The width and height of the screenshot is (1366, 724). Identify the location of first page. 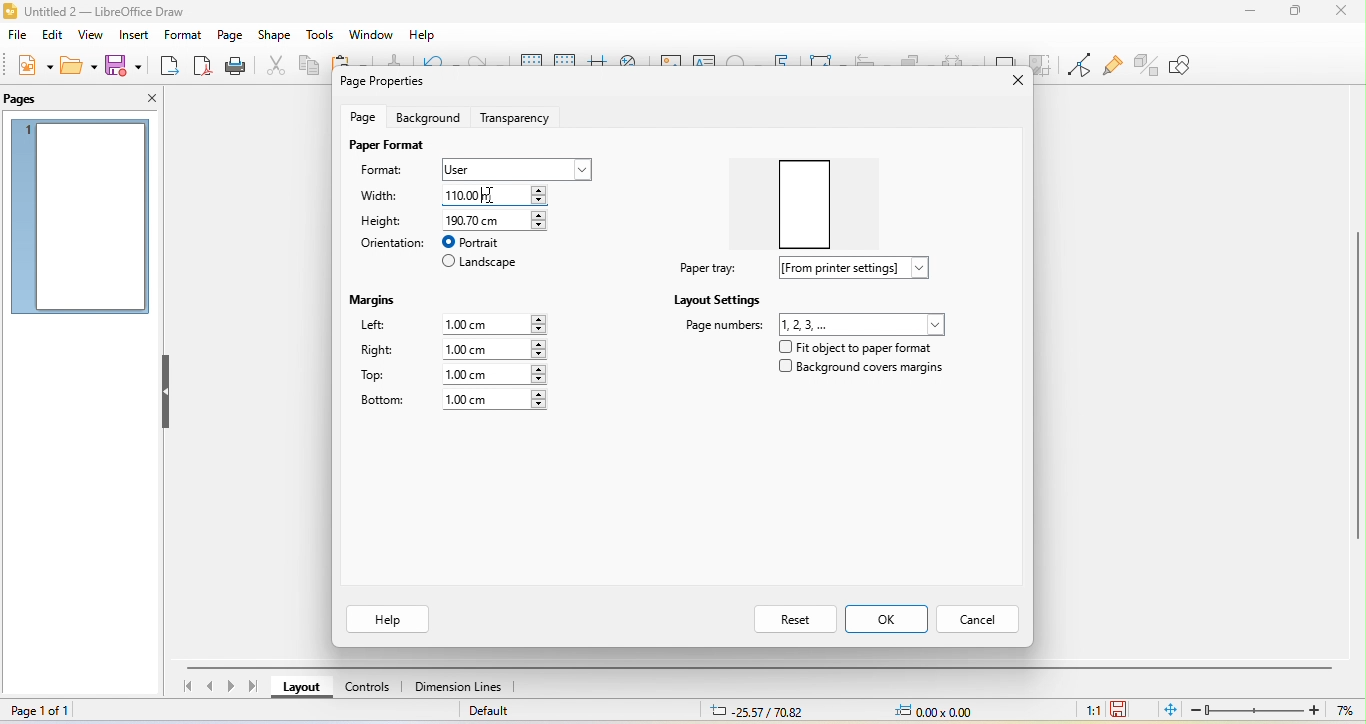
(185, 689).